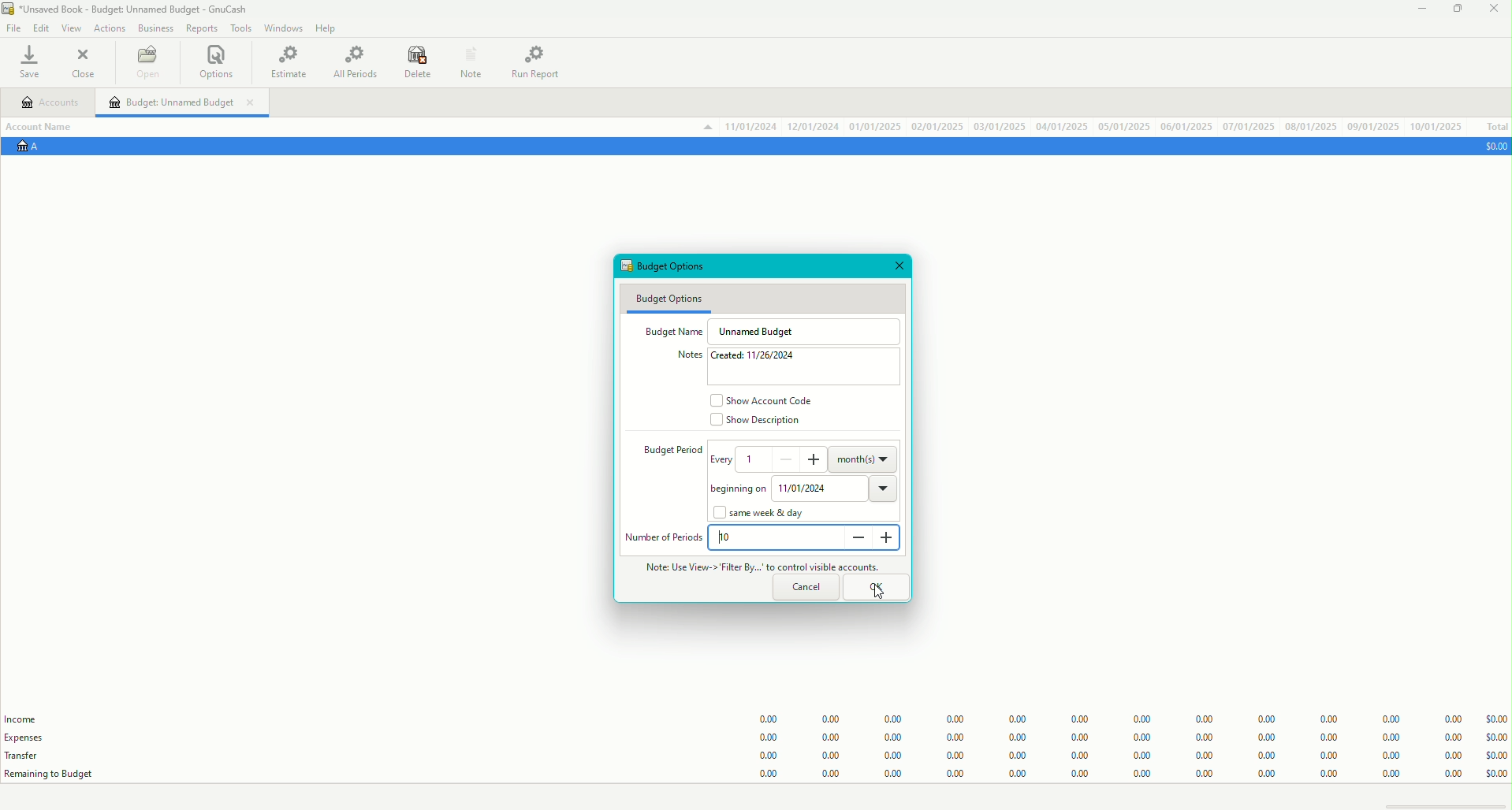  I want to click on month(s), so click(865, 458).